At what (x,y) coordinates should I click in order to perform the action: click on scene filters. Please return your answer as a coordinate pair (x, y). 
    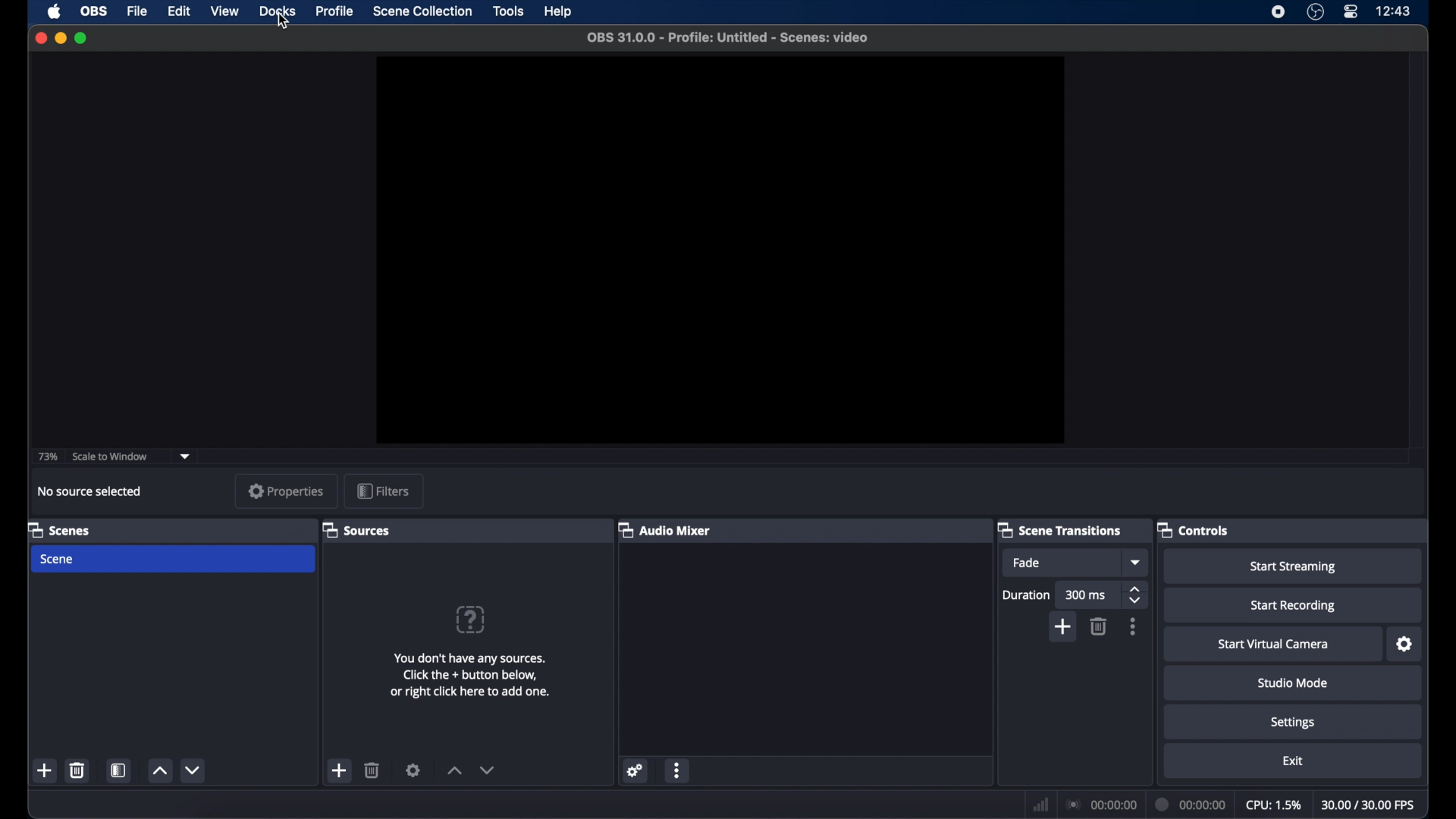
    Looking at the image, I should click on (119, 770).